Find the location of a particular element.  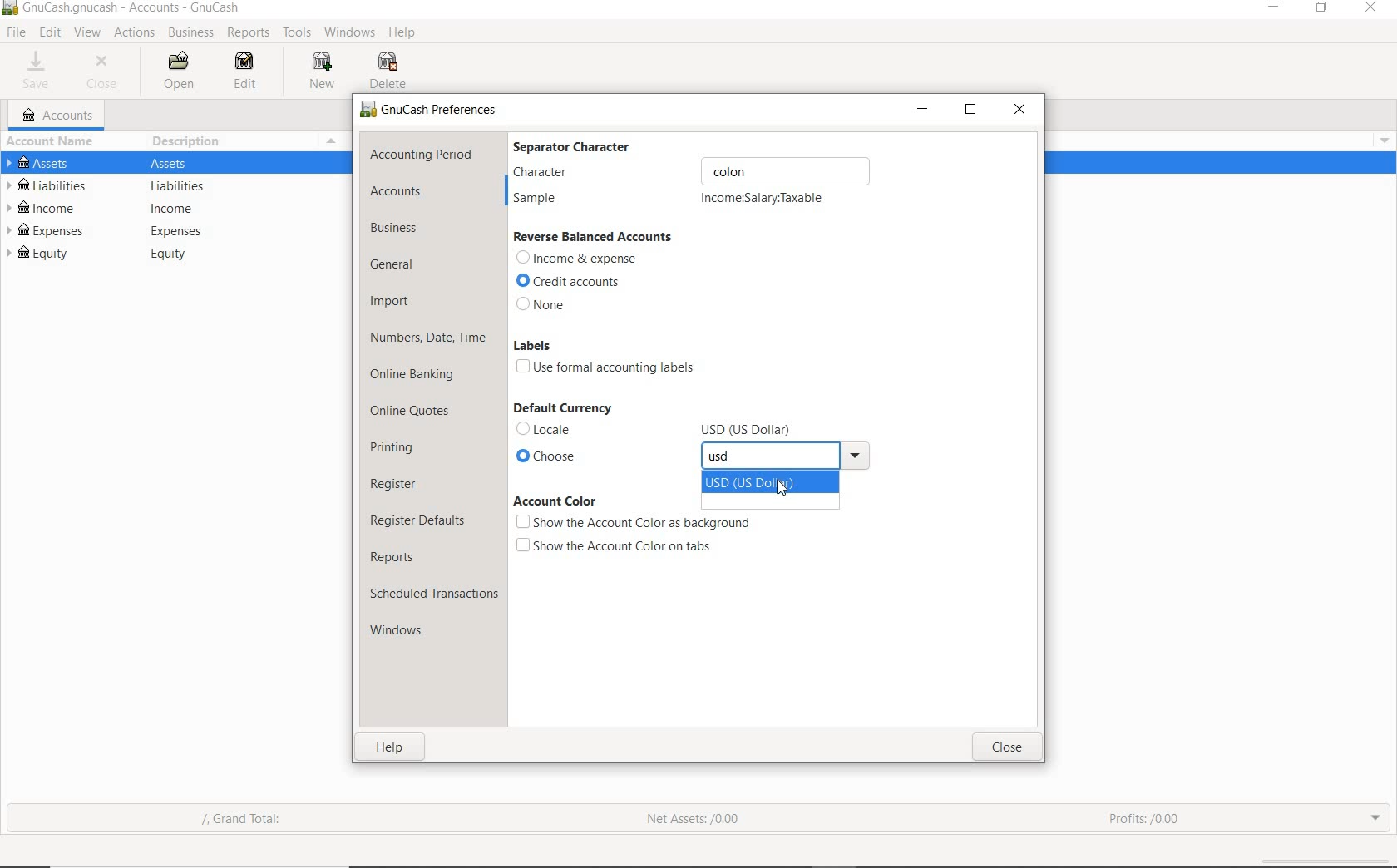

 is located at coordinates (180, 186).